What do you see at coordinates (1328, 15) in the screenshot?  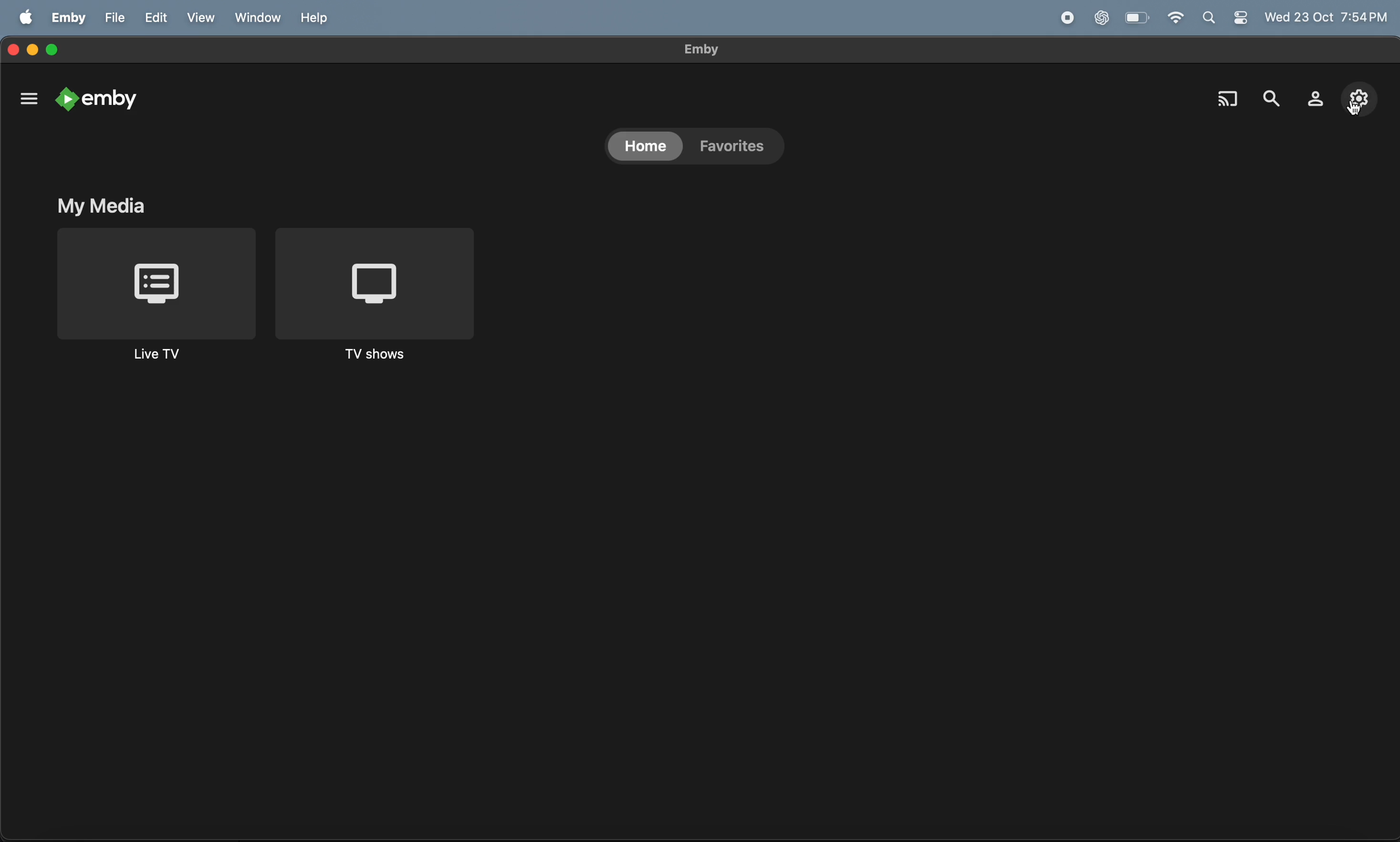 I see `wed 23 oct 7:54pm` at bounding box center [1328, 15].